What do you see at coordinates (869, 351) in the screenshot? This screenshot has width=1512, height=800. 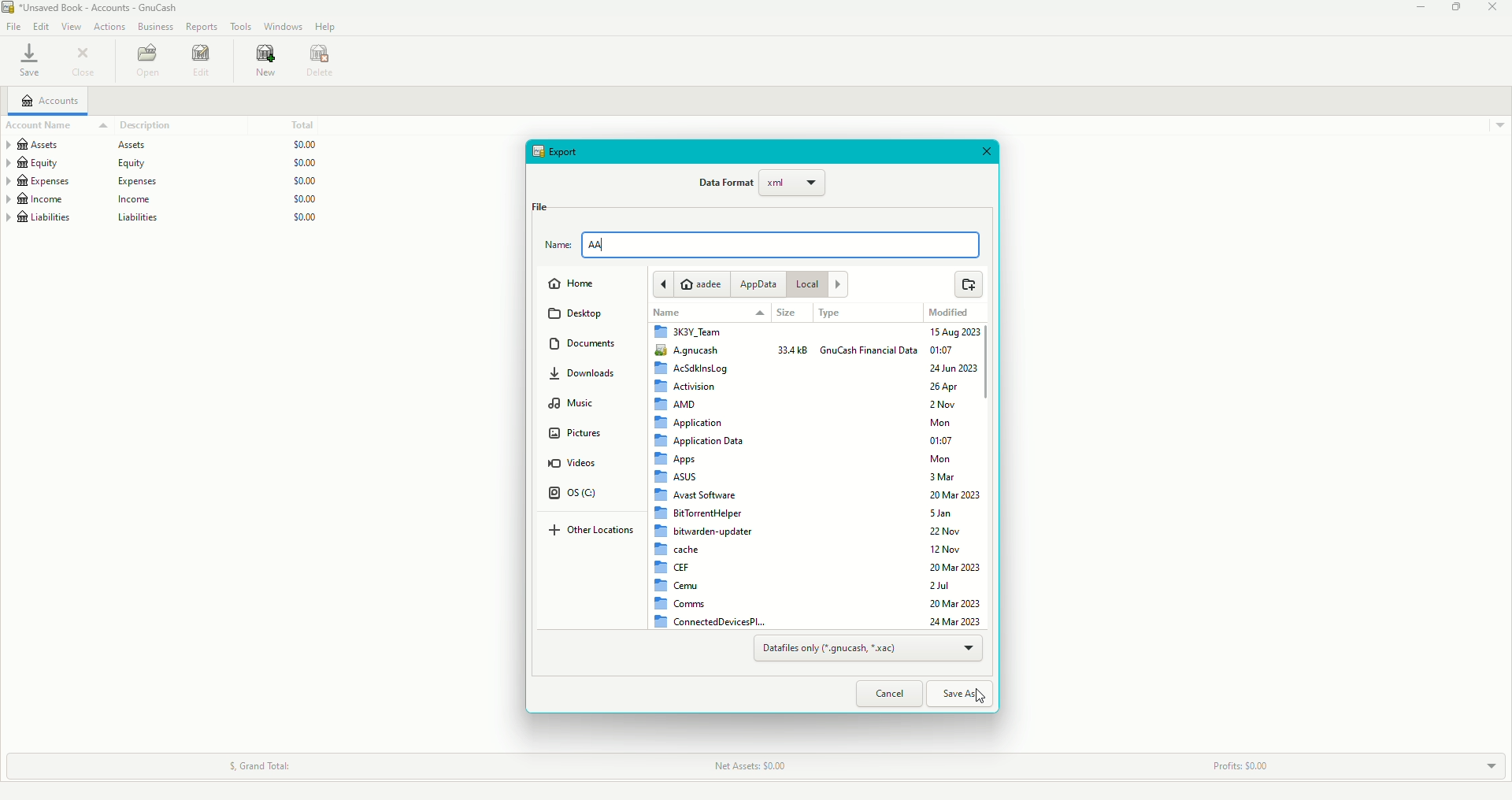 I see `GnuCash` at bounding box center [869, 351].